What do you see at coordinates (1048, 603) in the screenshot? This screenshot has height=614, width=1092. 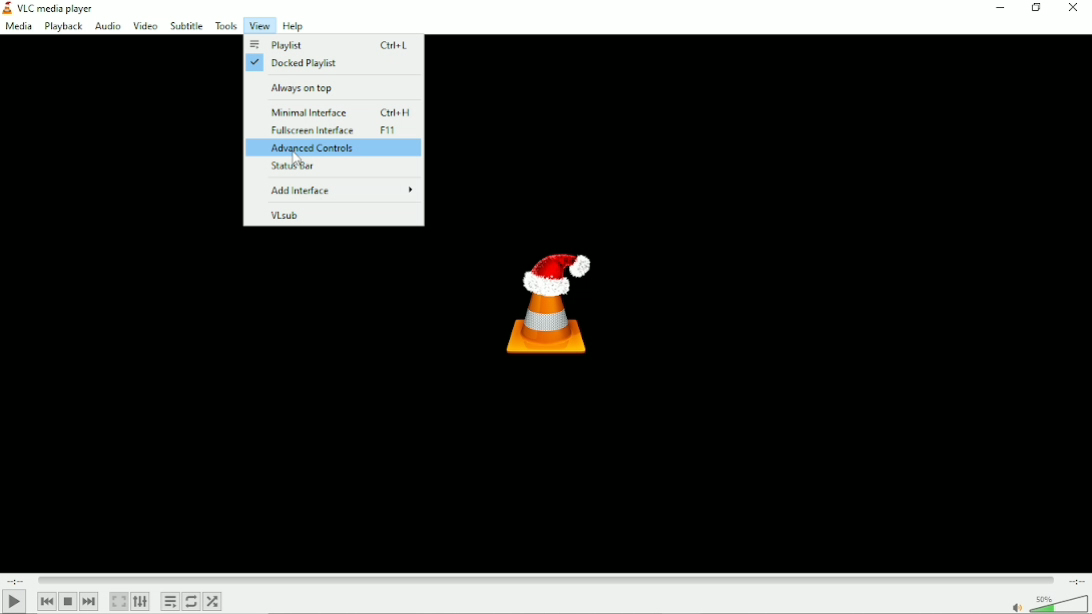 I see `Volume` at bounding box center [1048, 603].